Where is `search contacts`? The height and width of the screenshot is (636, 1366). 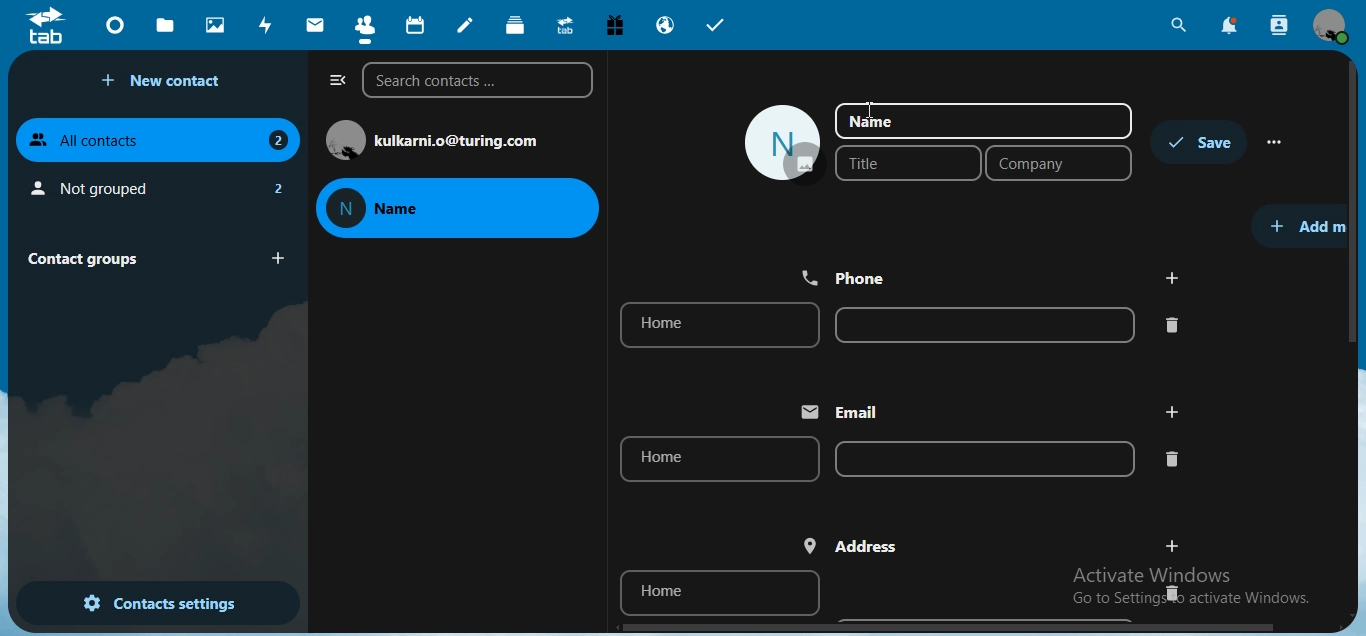 search contacts is located at coordinates (476, 82).